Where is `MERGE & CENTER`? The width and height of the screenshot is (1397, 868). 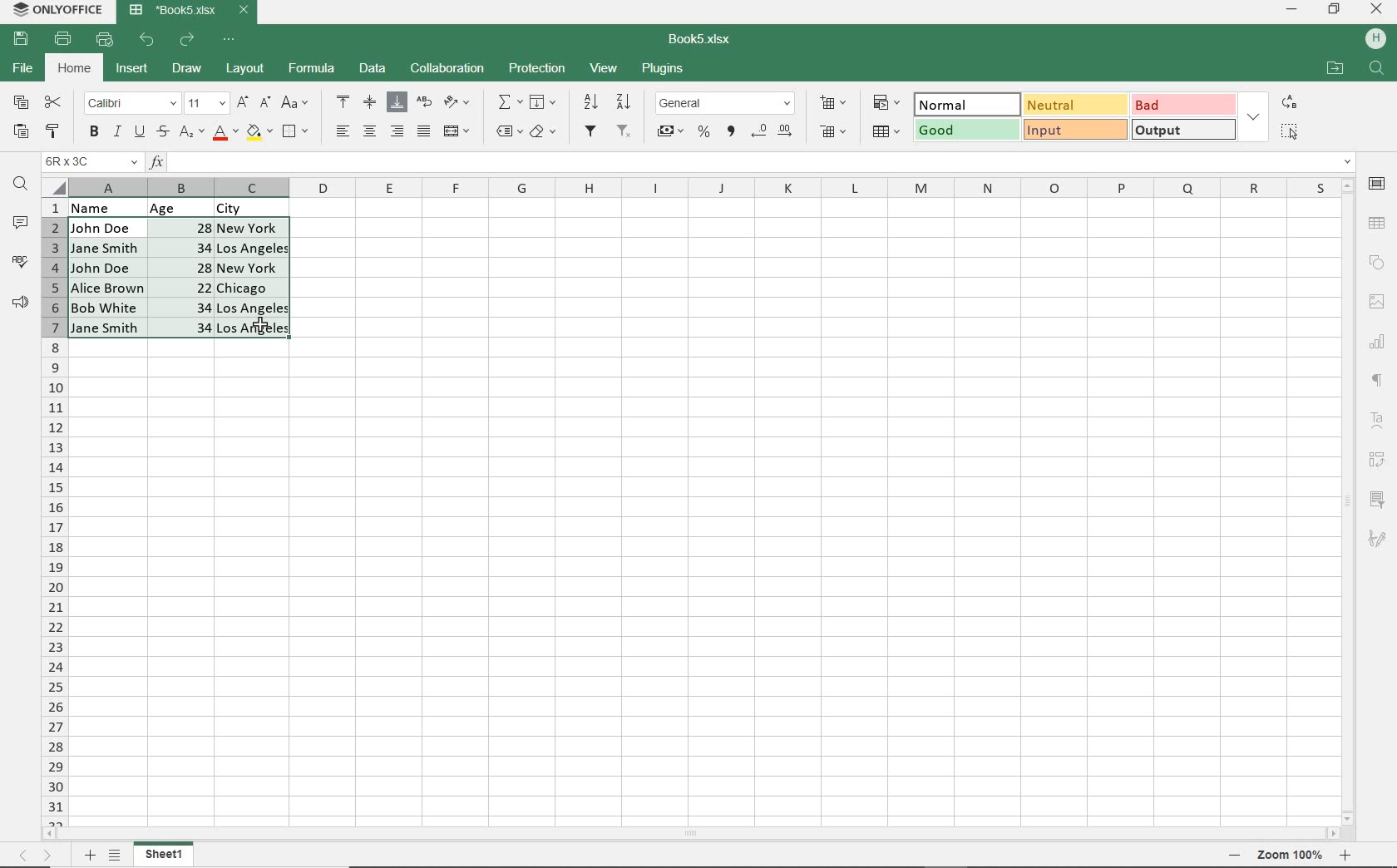
MERGE & CENTER is located at coordinates (457, 131).